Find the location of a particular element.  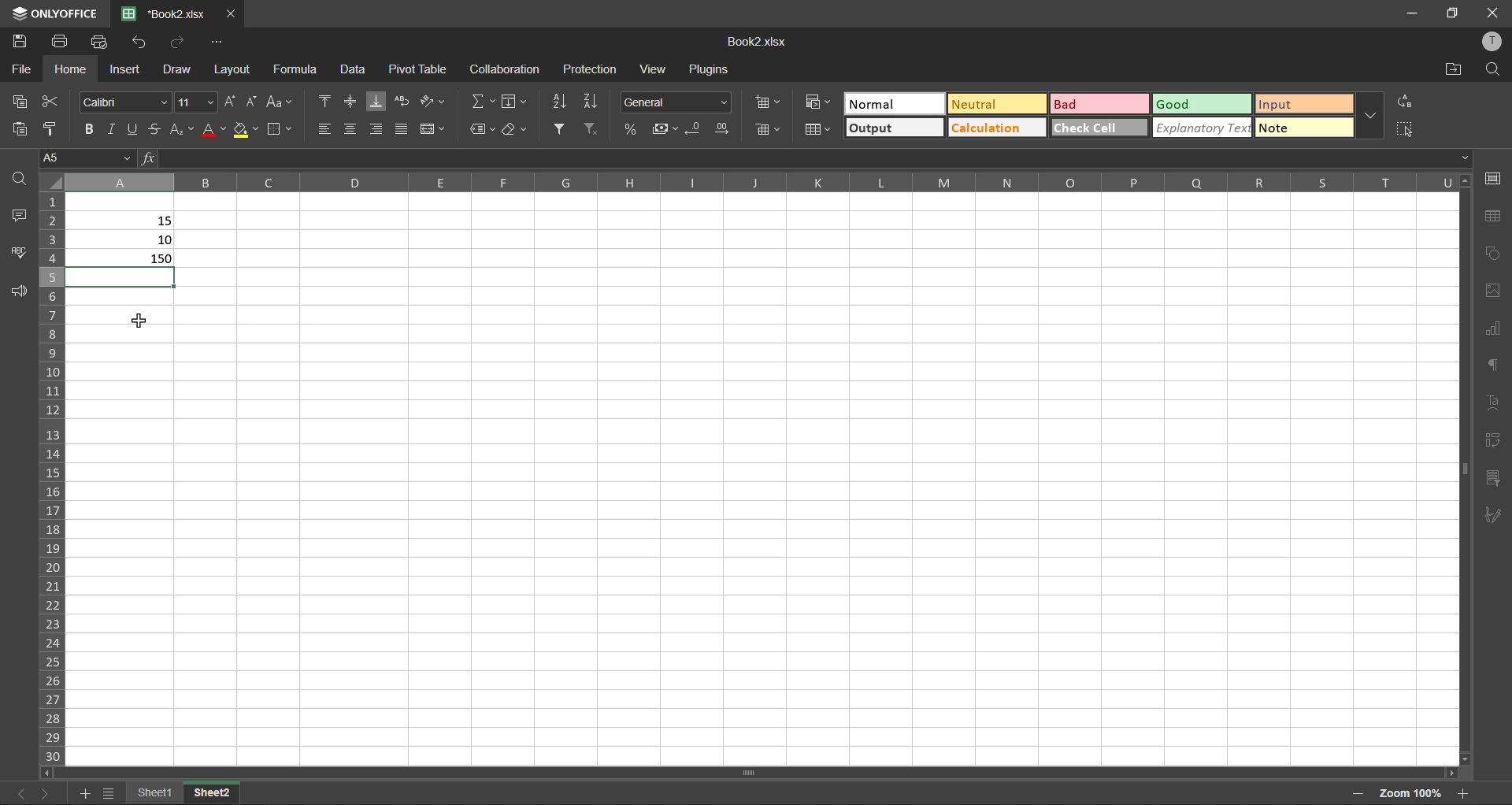

fontsize is located at coordinates (195, 102).